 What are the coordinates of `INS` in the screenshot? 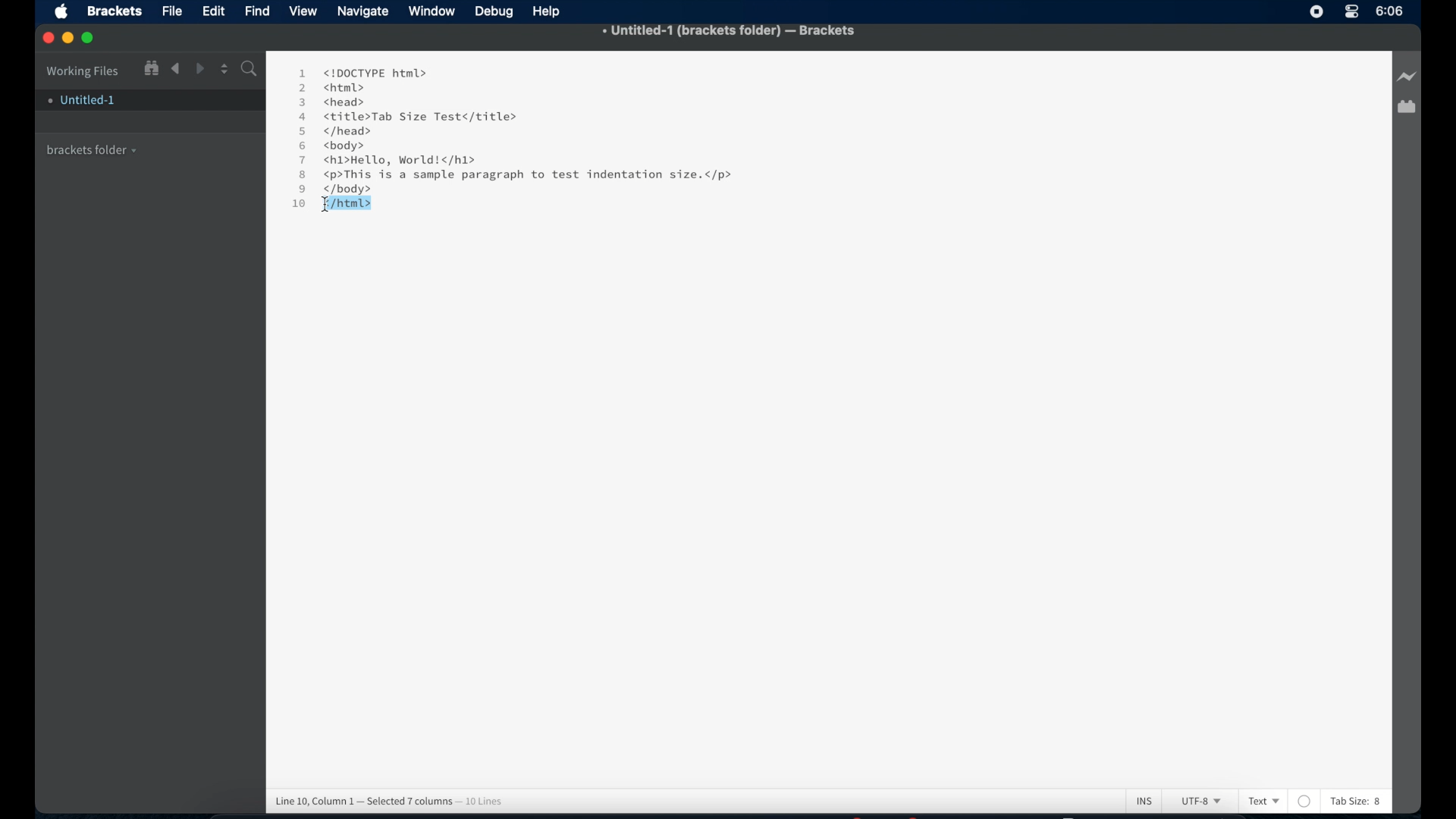 It's located at (1144, 800).